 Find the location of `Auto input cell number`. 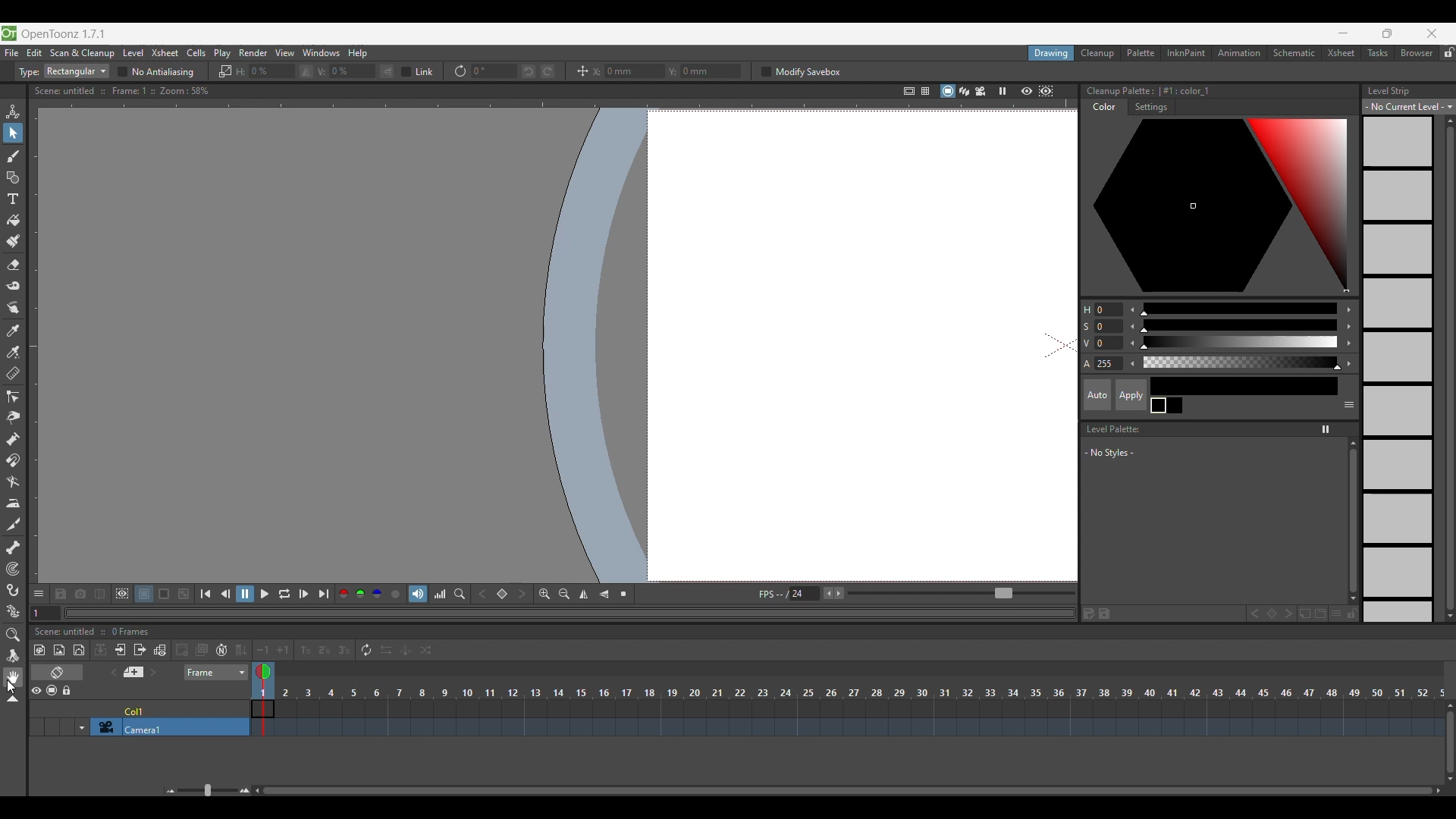

Auto input cell number is located at coordinates (221, 650).